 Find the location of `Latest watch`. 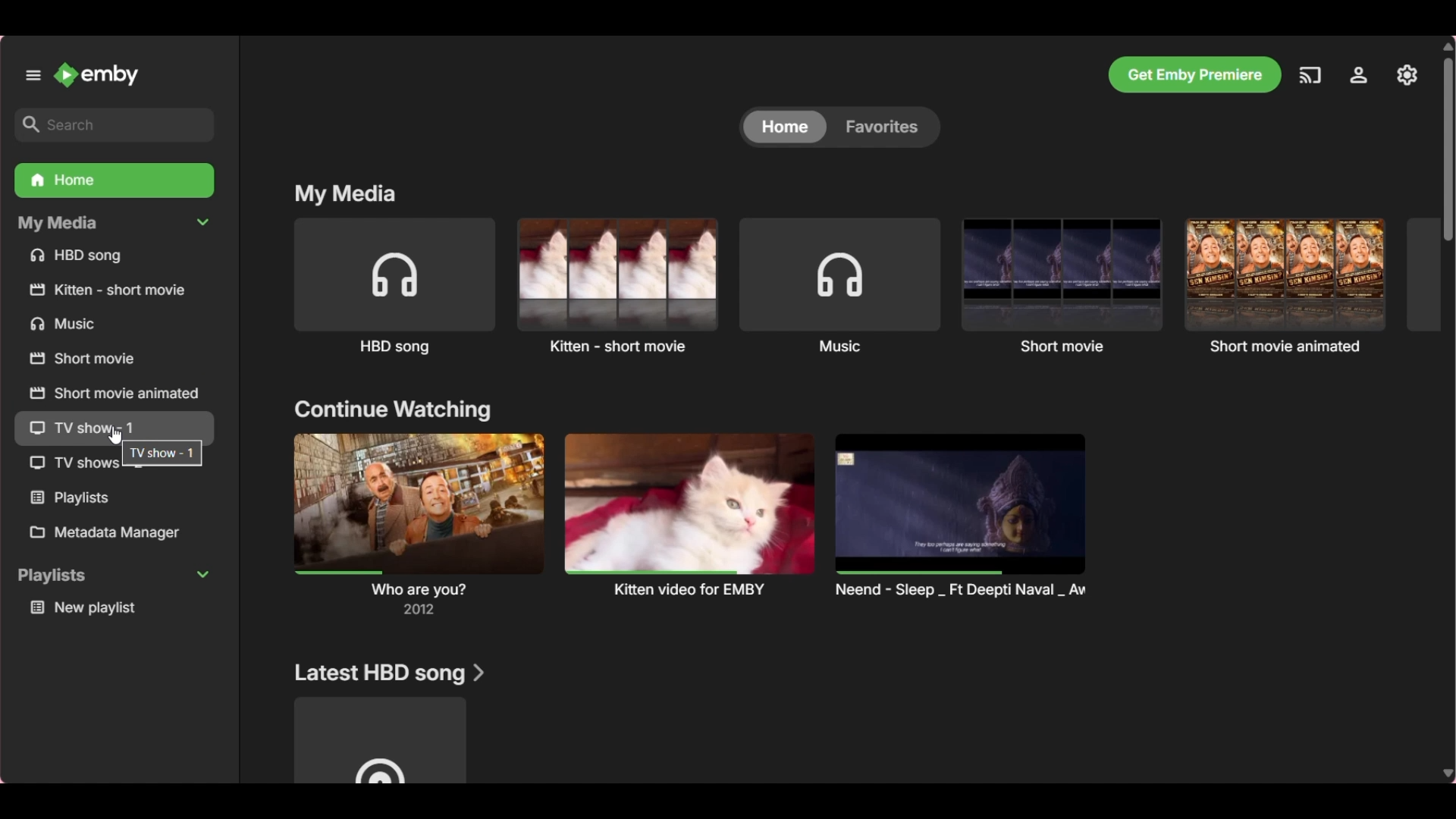

Latest watch is located at coordinates (961, 516).